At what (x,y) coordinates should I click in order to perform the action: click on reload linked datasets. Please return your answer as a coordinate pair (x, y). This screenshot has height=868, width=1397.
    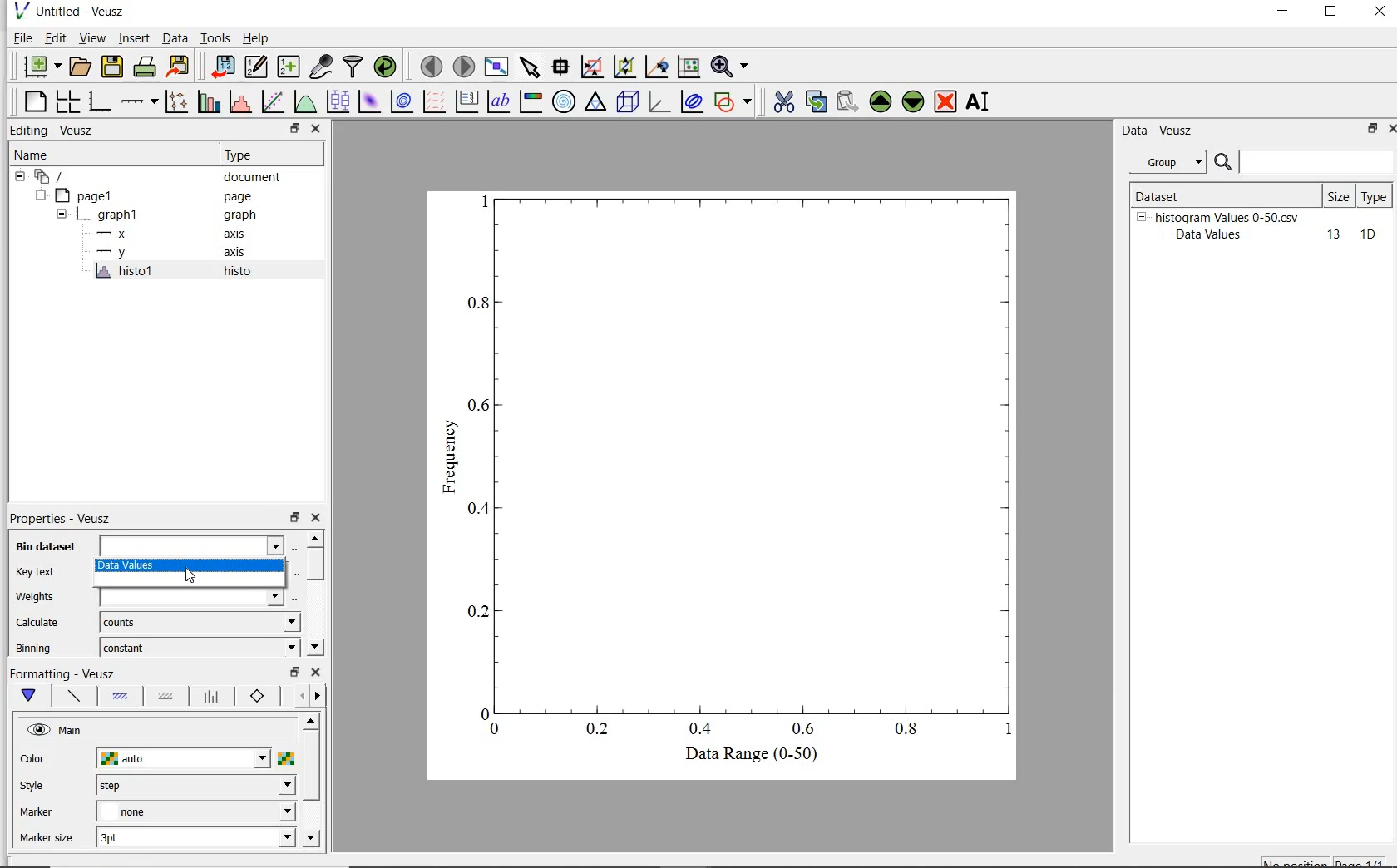
    Looking at the image, I should click on (388, 67).